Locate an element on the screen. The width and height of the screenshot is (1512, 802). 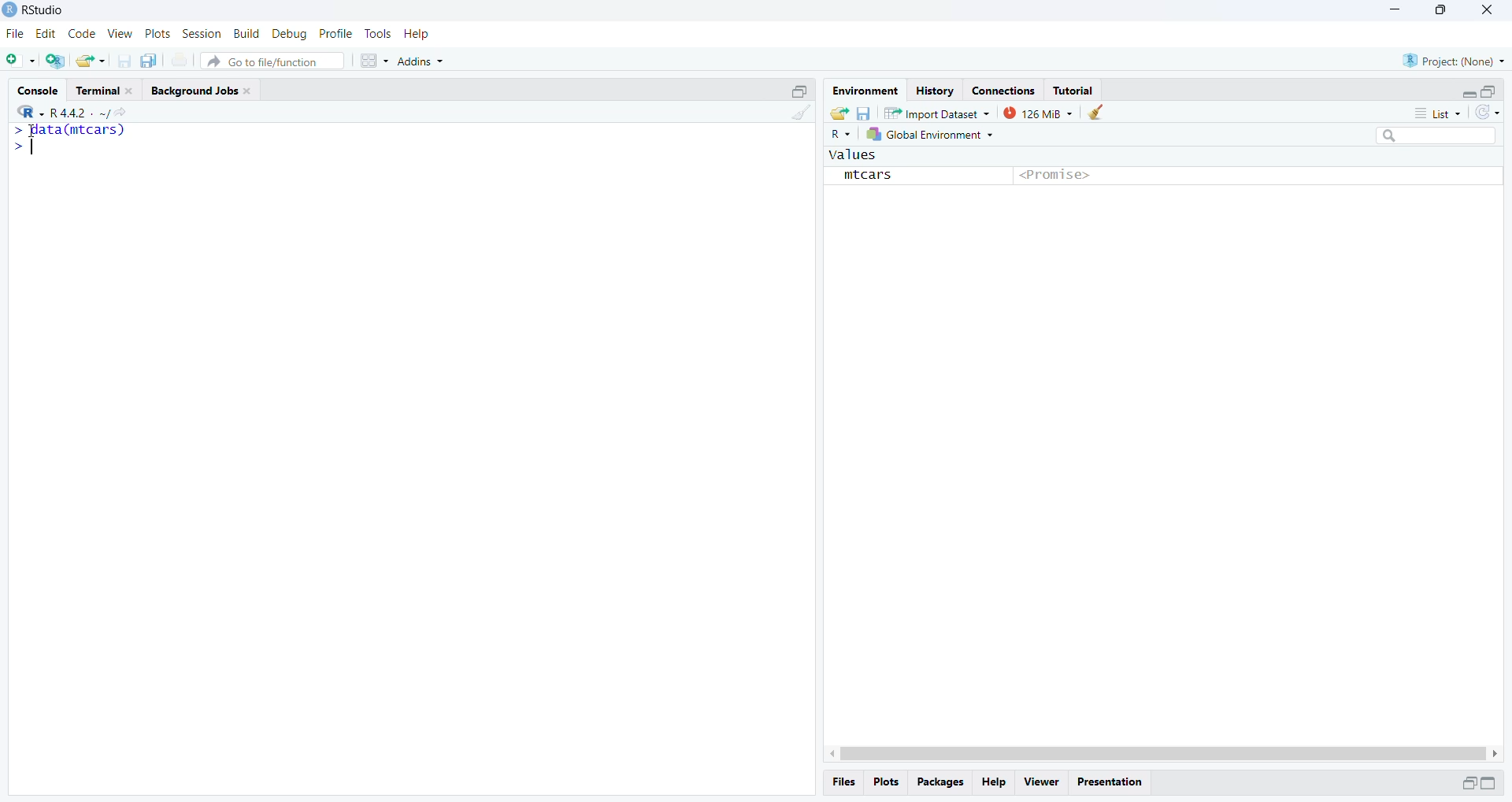
values is located at coordinates (855, 154).